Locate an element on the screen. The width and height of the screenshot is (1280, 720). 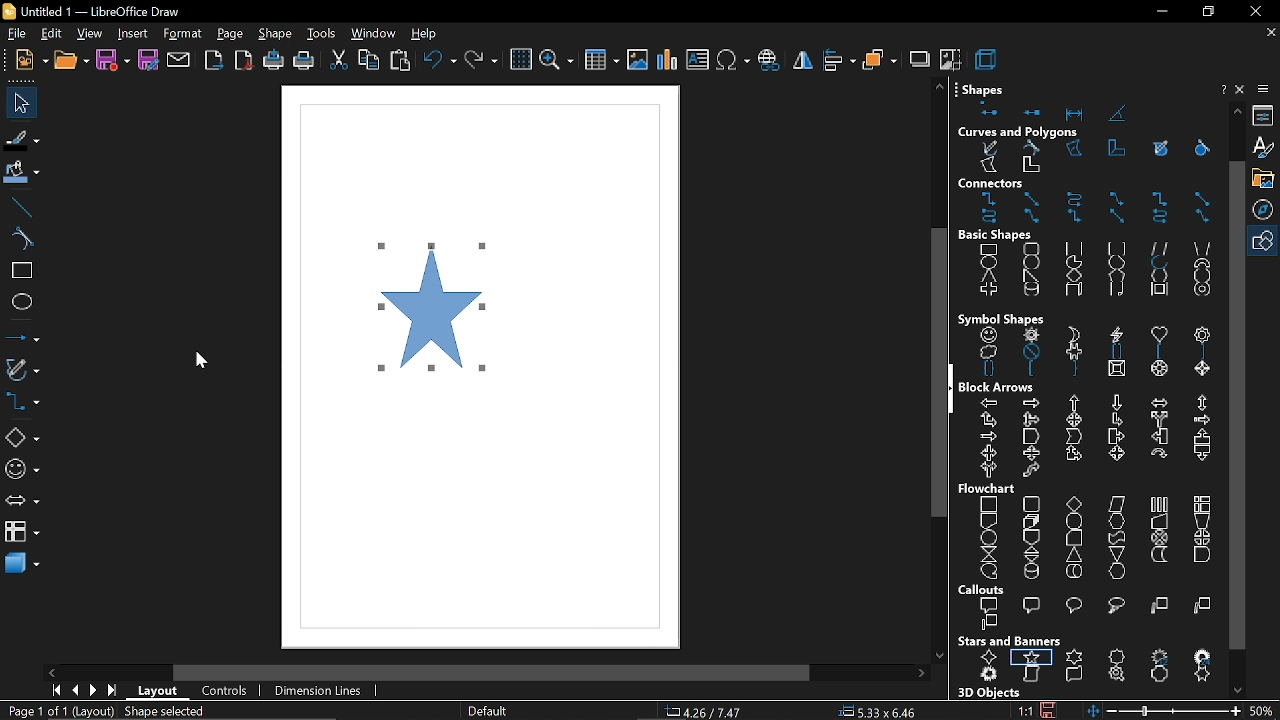
move left is located at coordinates (51, 672).